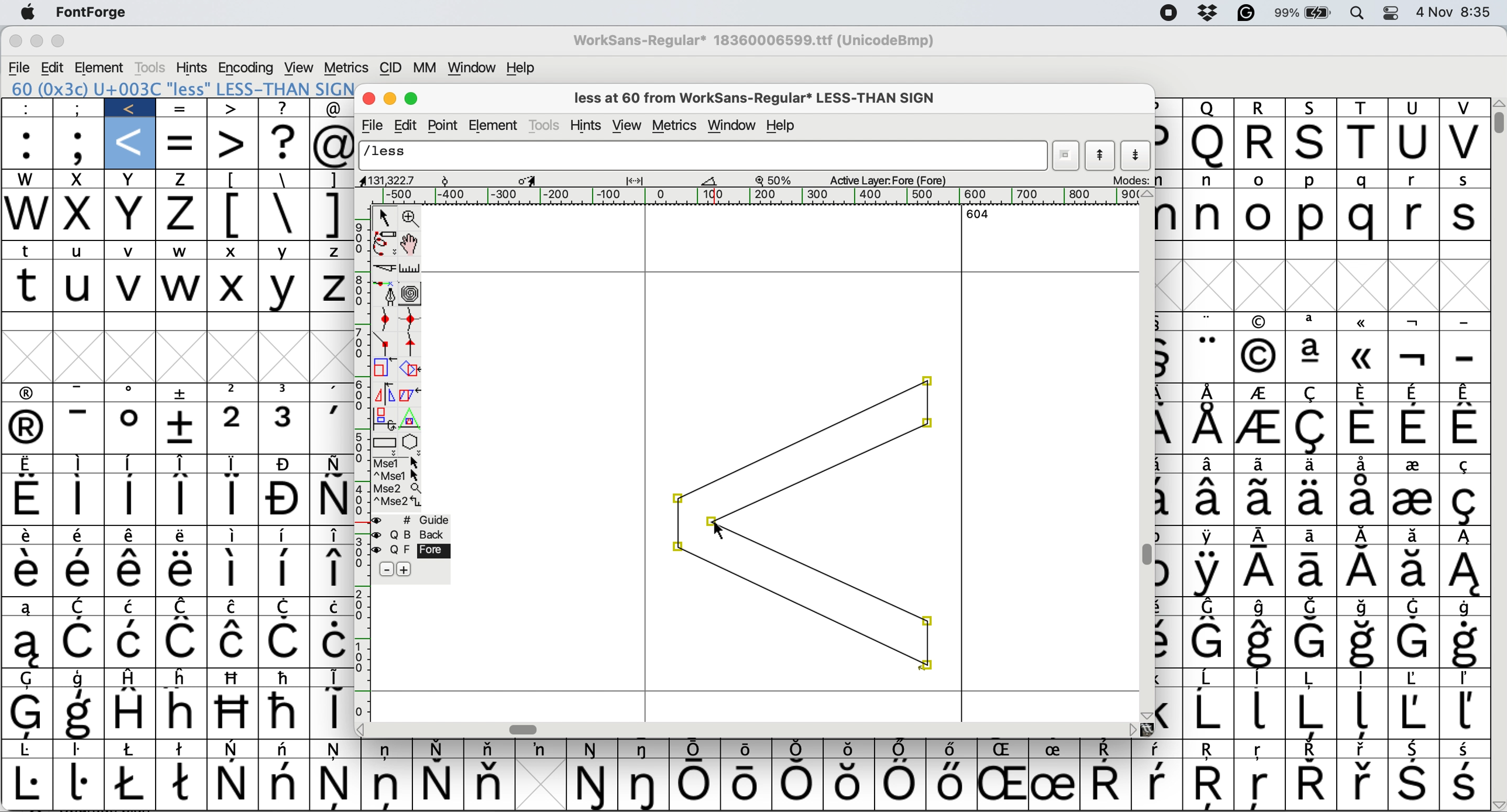 The image size is (1507, 812). Describe the element at coordinates (420, 518) in the screenshot. I see `guide` at that location.